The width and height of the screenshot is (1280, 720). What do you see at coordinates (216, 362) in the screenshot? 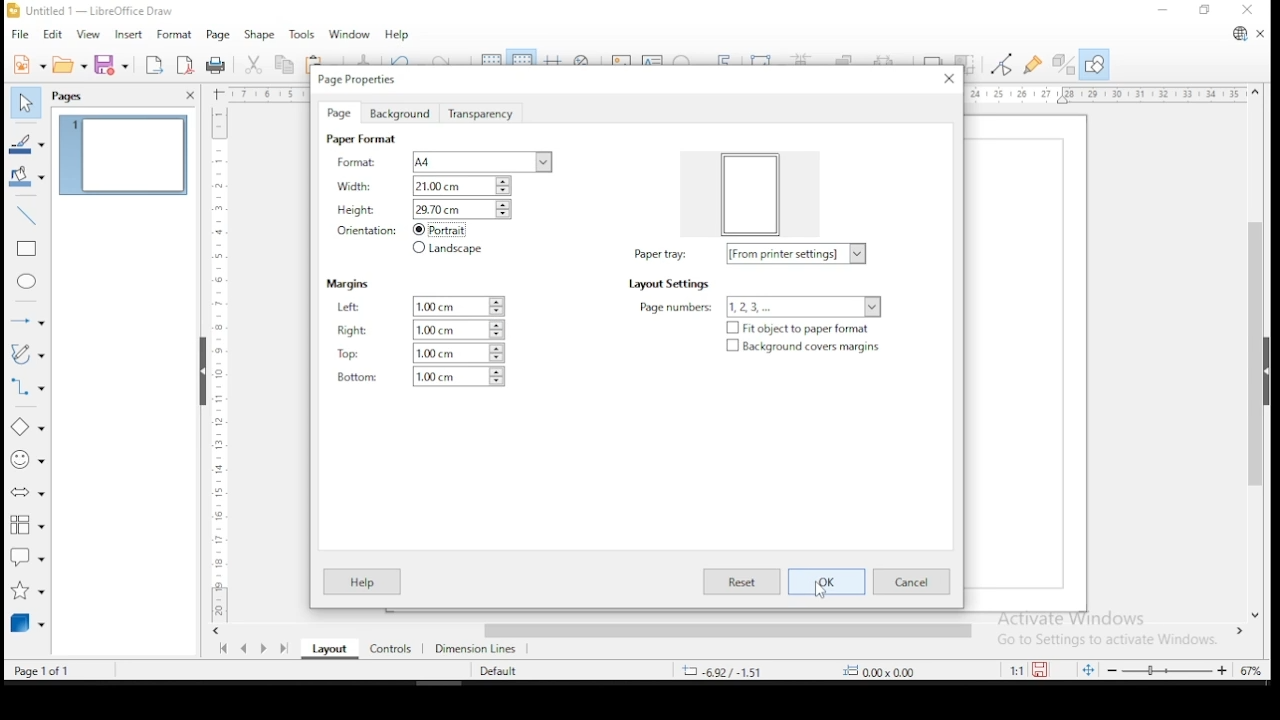
I see `scale` at bounding box center [216, 362].